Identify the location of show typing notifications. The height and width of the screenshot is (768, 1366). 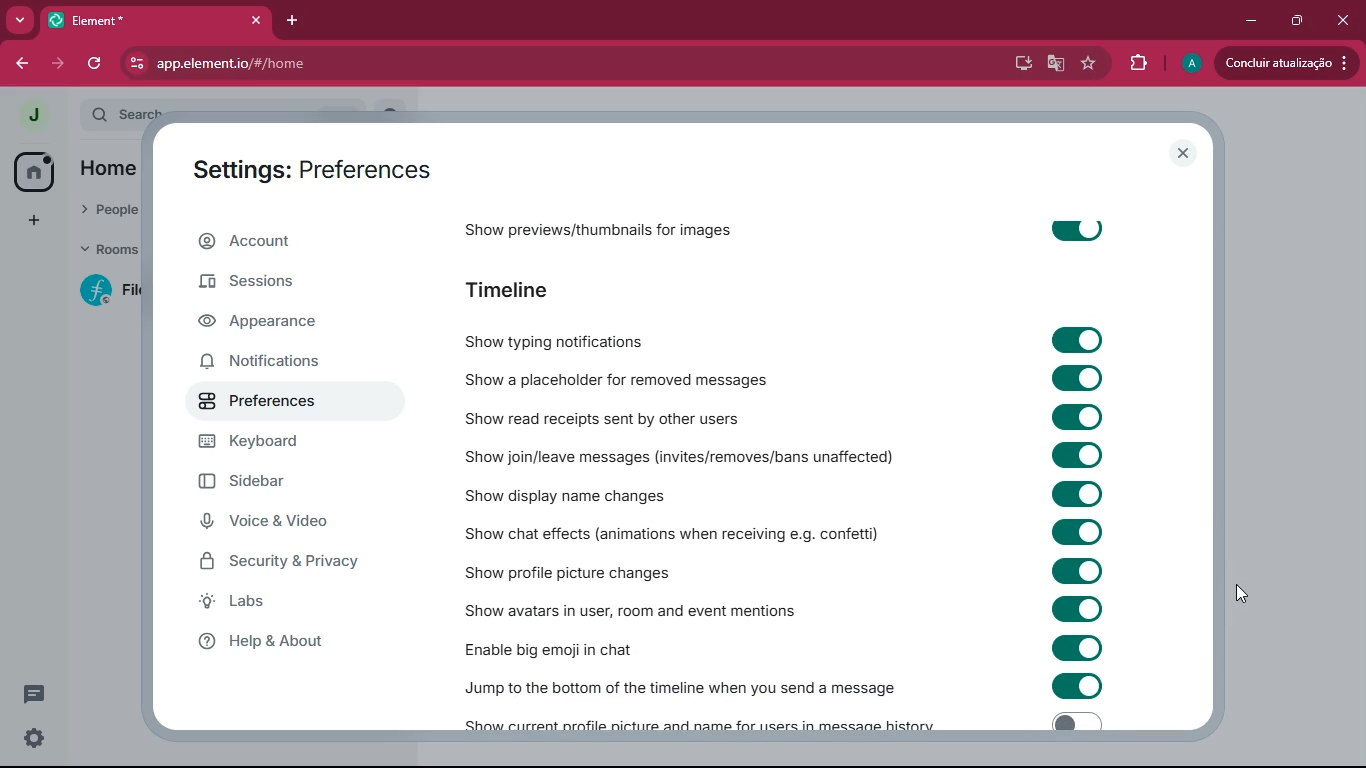
(563, 340).